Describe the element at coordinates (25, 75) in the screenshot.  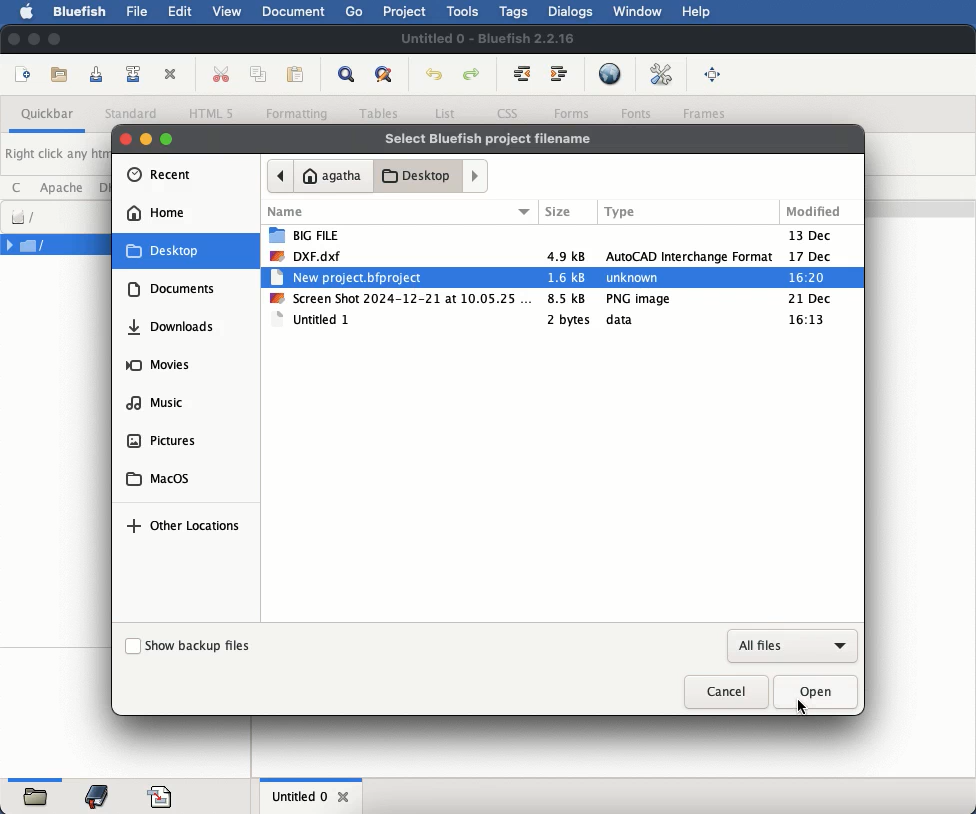
I see `new file` at that location.